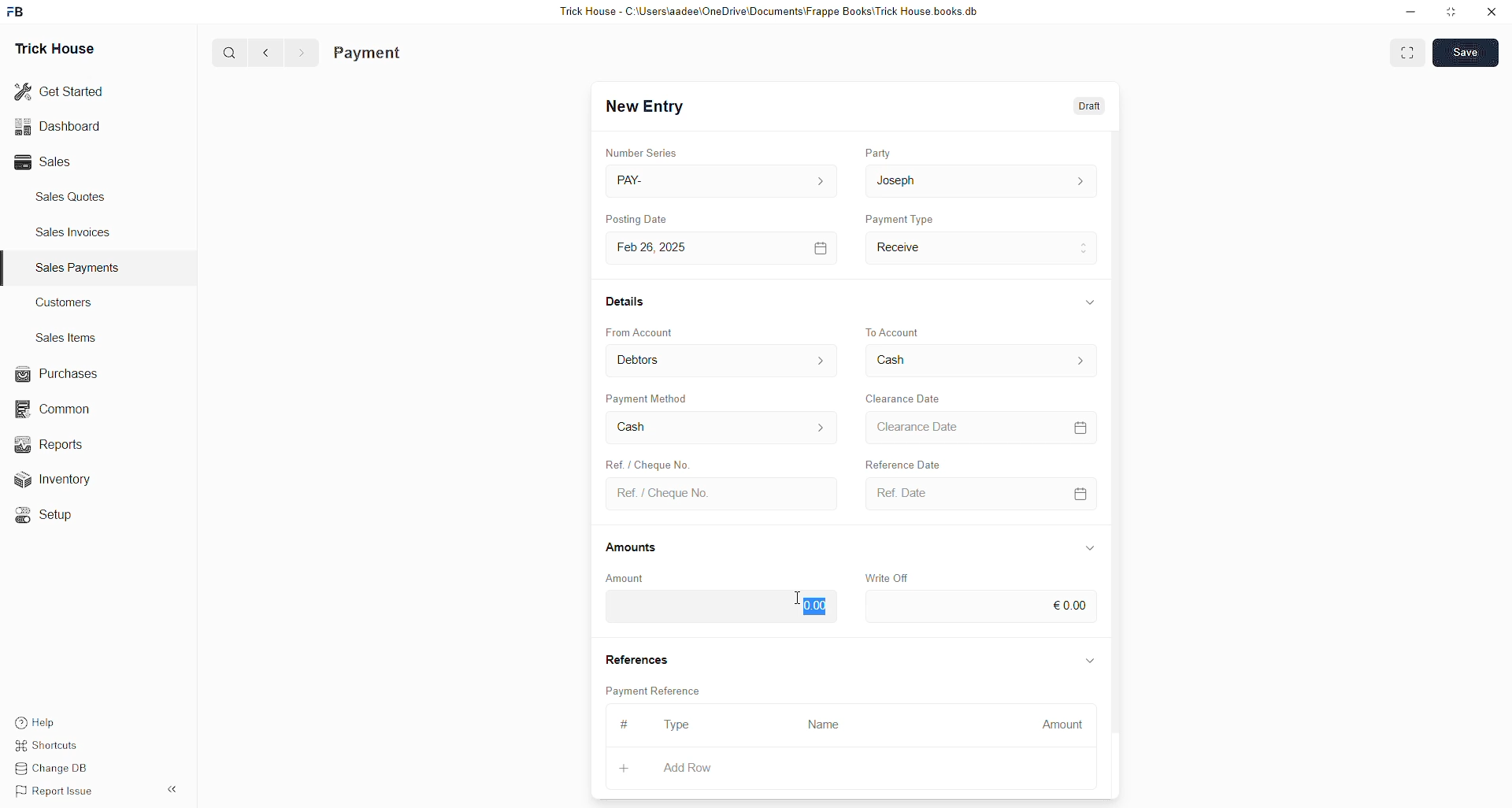  I want to click on Amount, so click(1056, 726).